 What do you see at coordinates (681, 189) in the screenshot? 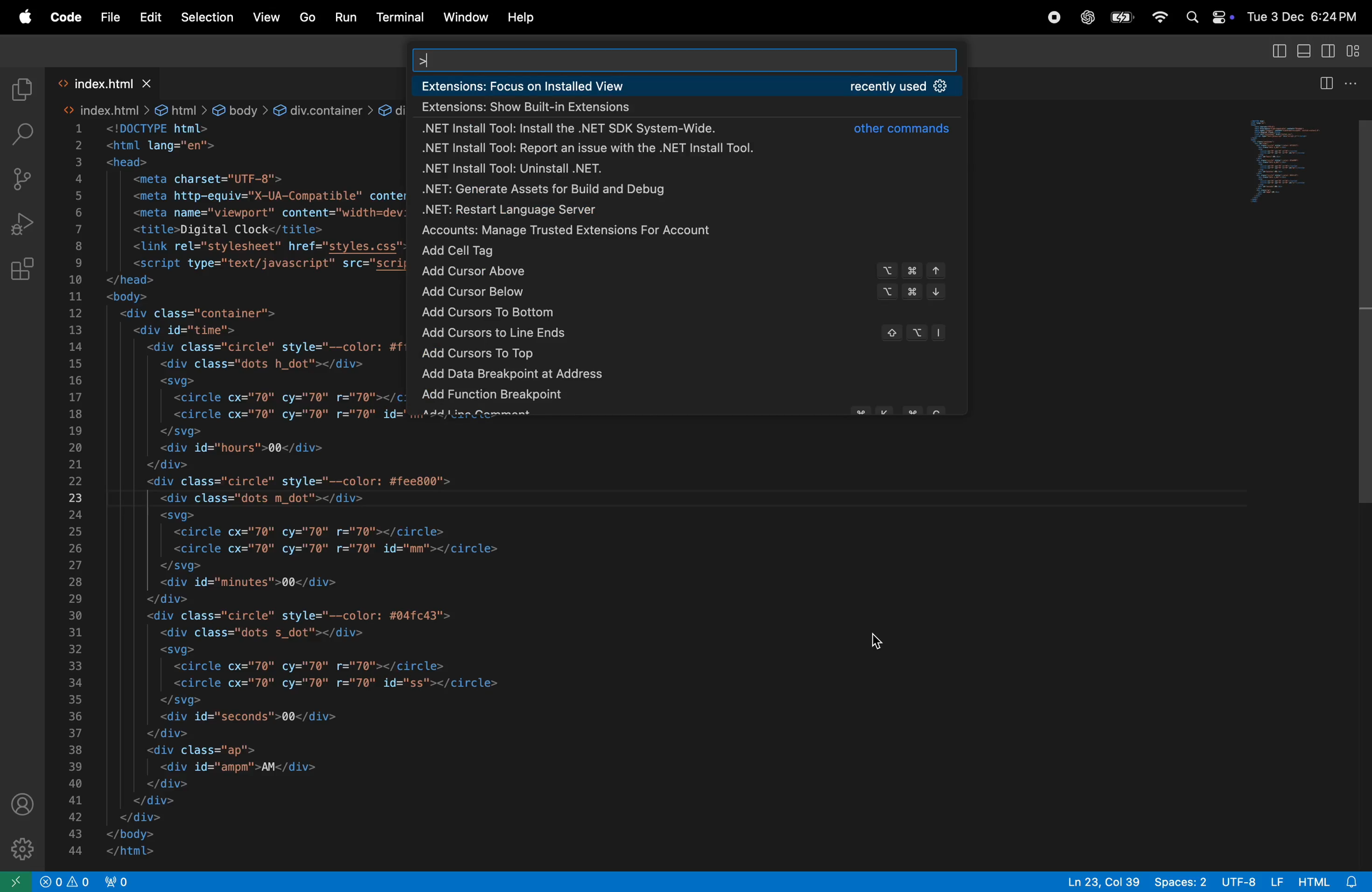
I see `.net generate assets for build and debug` at bounding box center [681, 189].